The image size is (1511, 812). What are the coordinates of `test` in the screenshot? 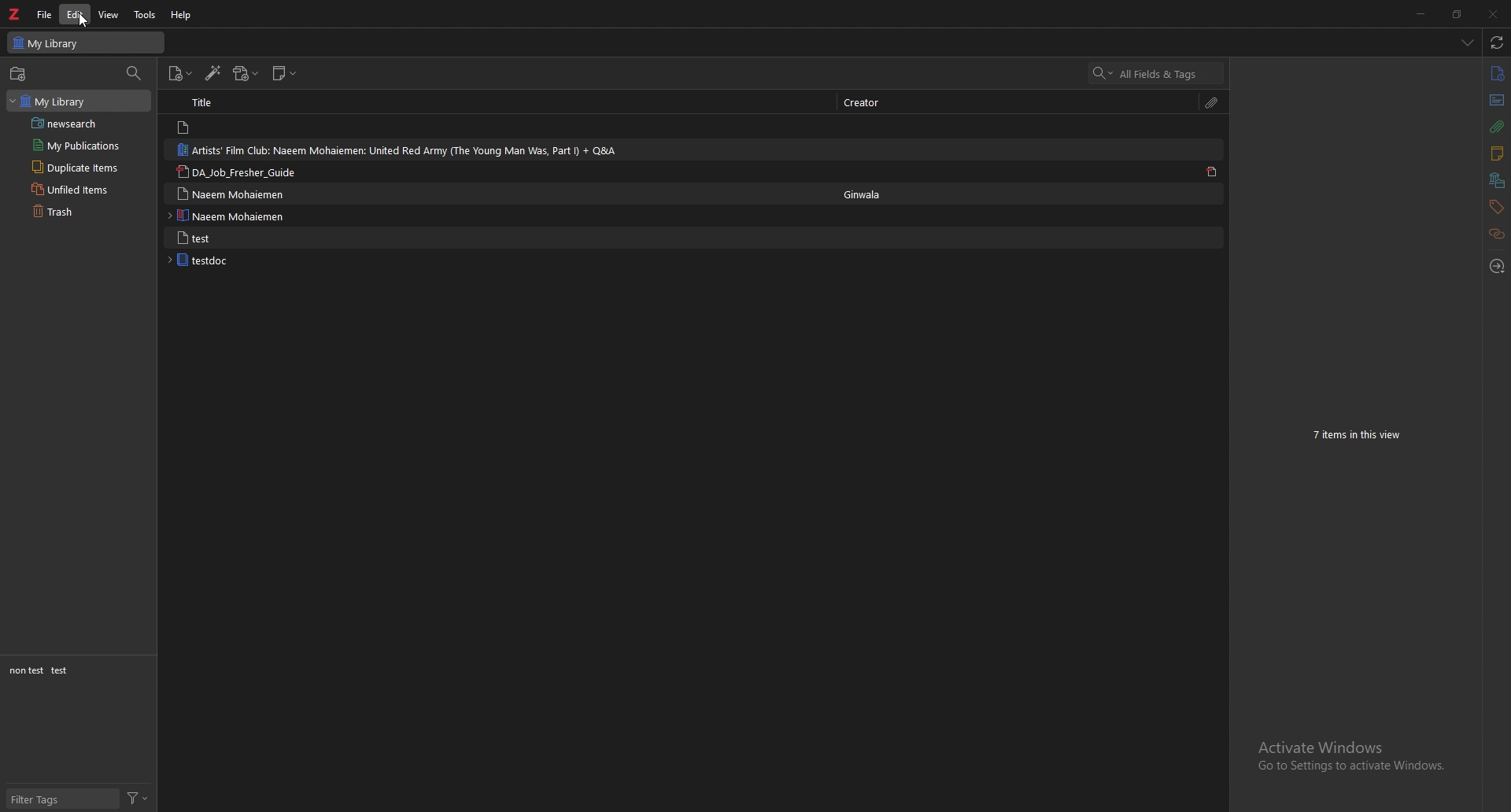 It's located at (61, 670).